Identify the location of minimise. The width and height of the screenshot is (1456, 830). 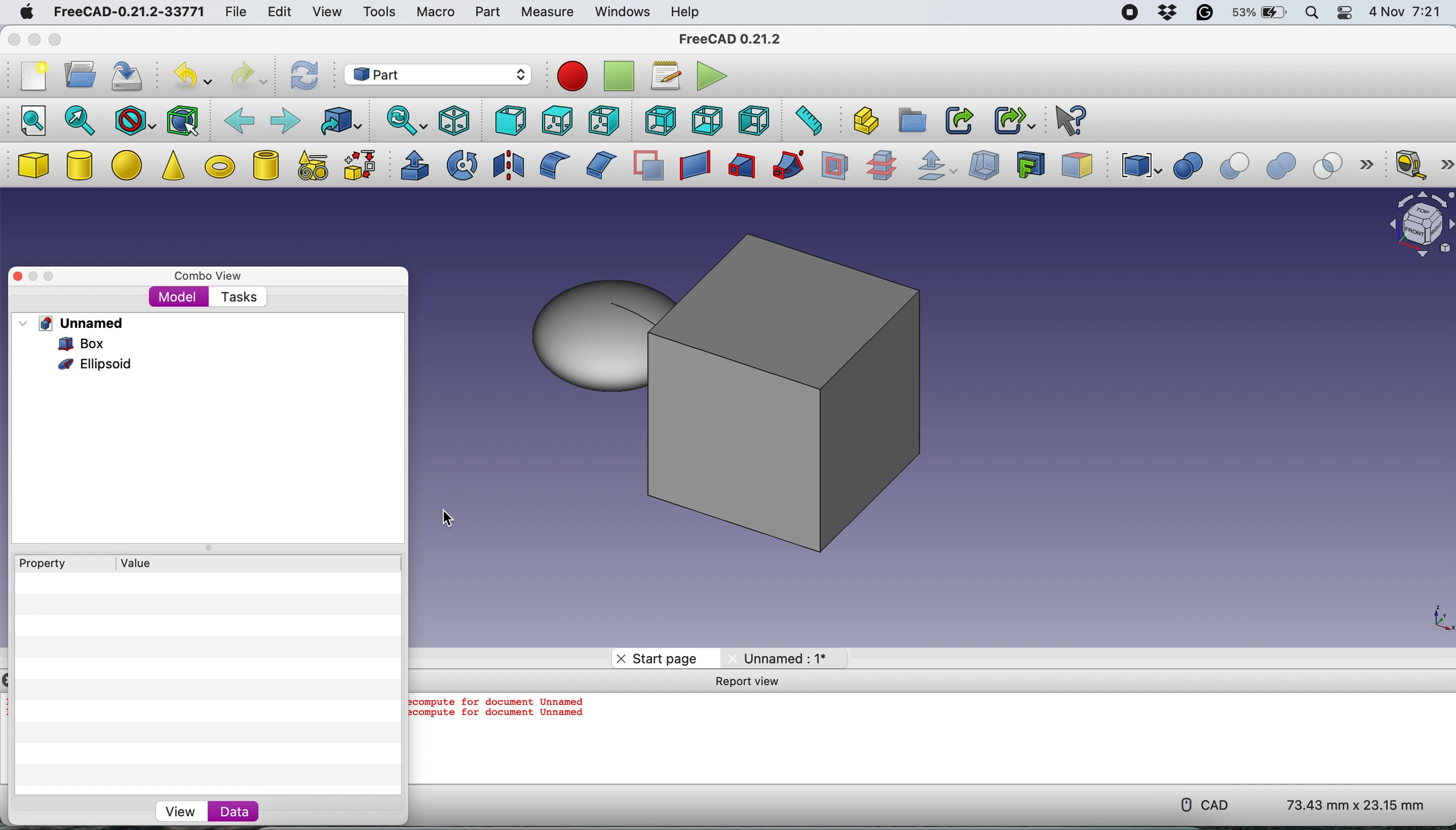
(35, 276).